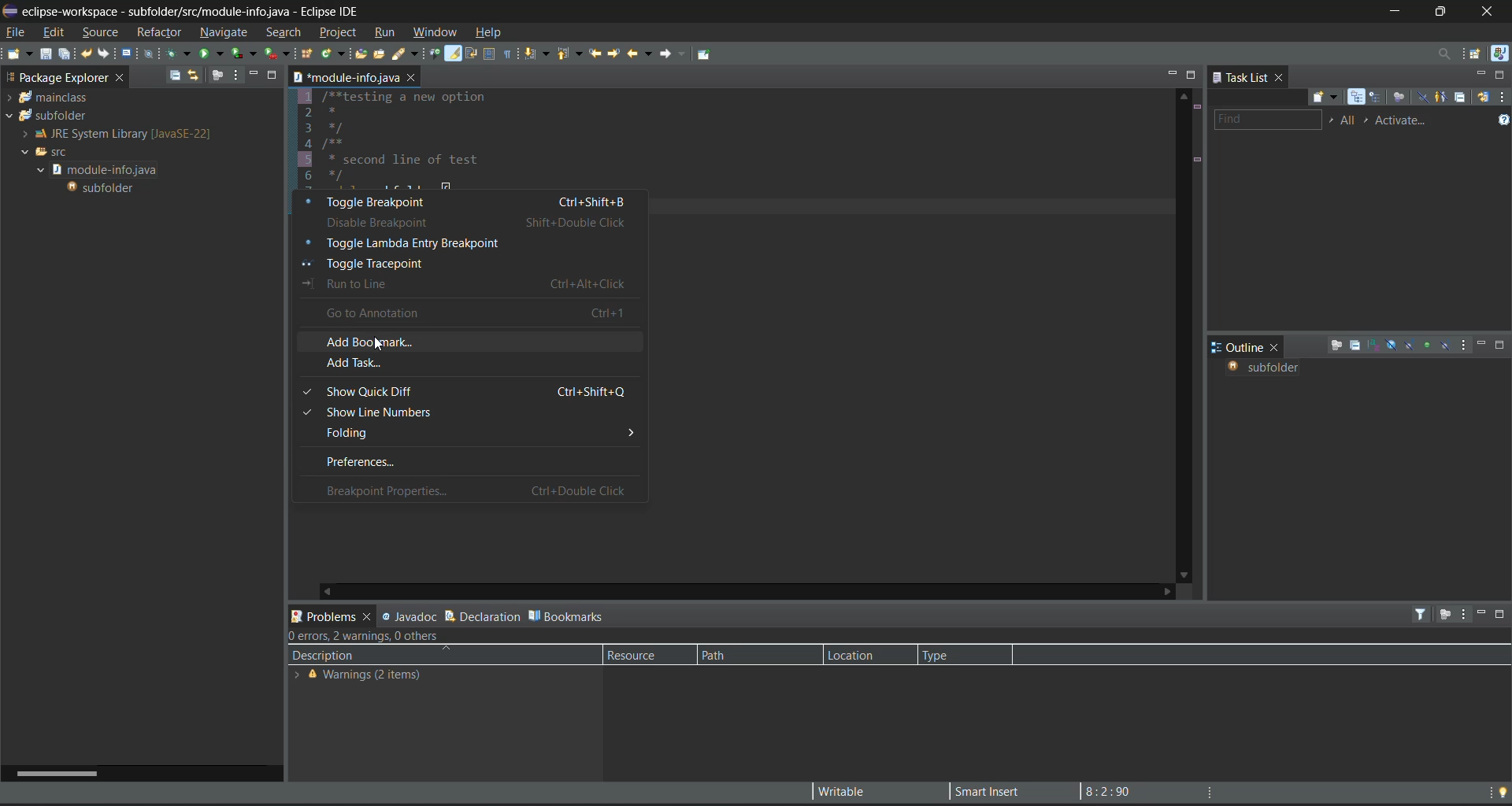 Image resolution: width=1512 pixels, height=806 pixels. I want to click on path, so click(736, 655).